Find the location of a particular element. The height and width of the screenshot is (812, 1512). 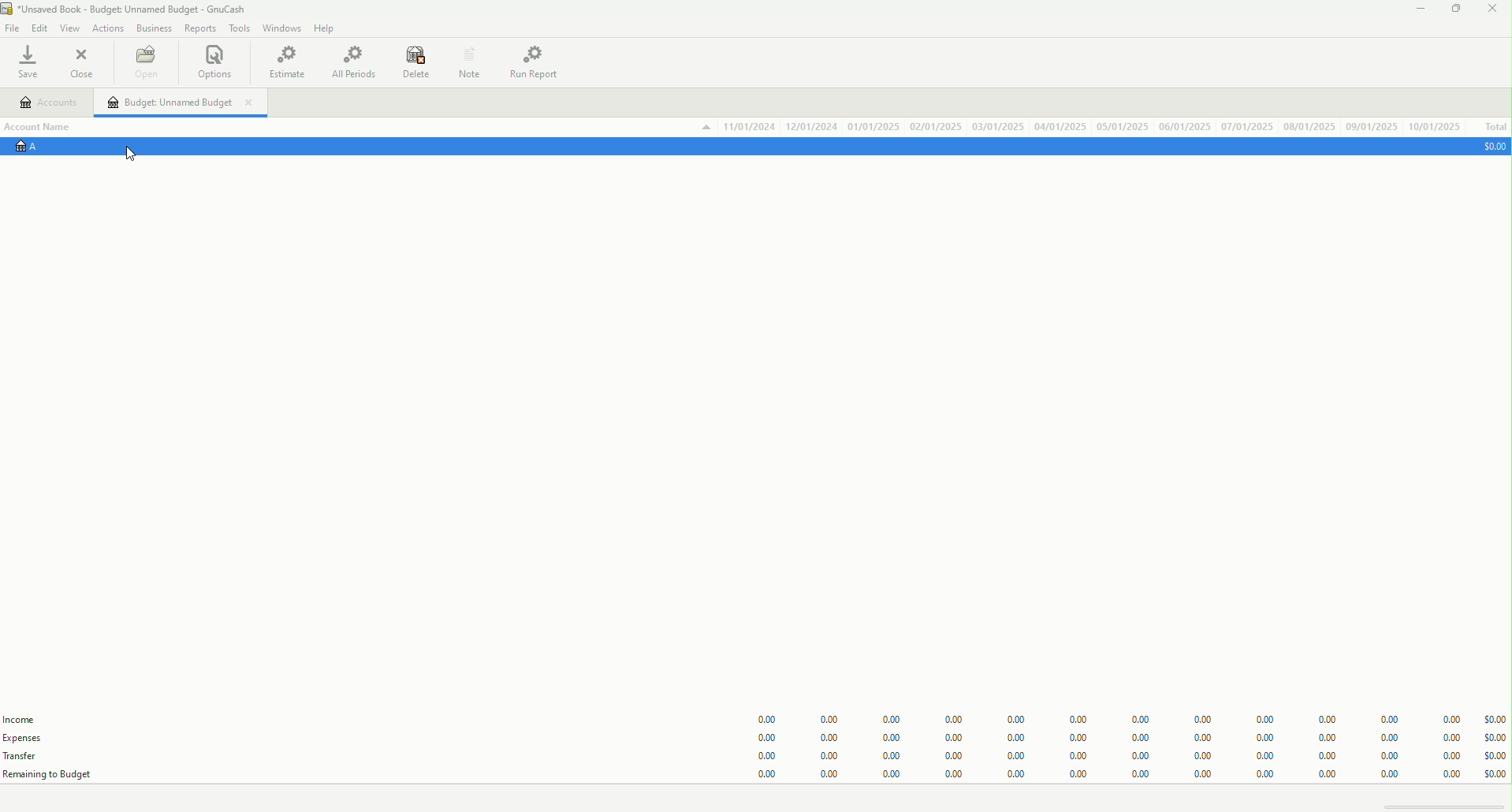

Budget numbers is located at coordinates (1119, 743).